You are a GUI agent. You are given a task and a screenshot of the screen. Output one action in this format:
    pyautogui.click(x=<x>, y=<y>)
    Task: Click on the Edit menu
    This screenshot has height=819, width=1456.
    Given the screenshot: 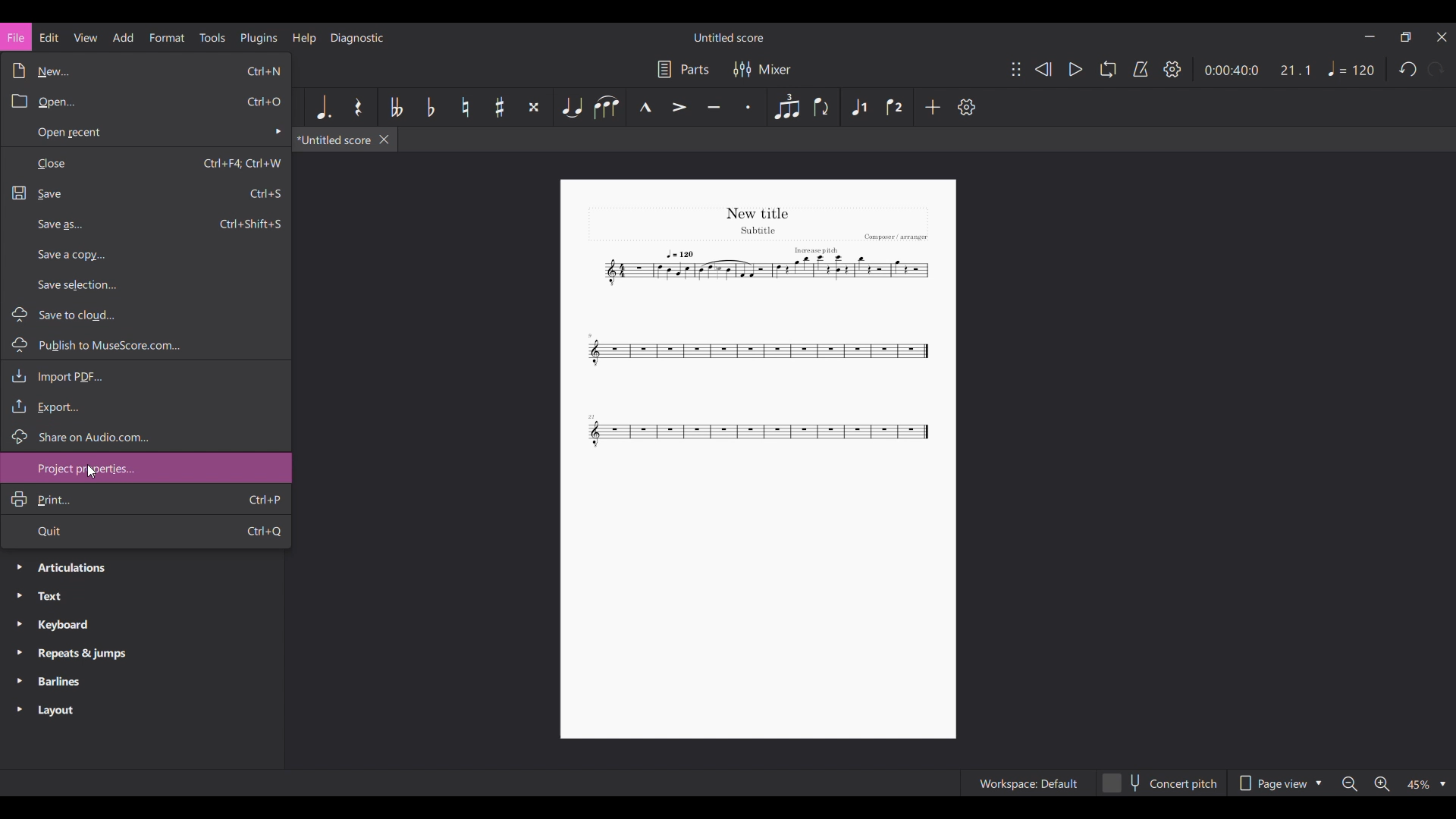 What is the action you would take?
    pyautogui.click(x=49, y=37)
    